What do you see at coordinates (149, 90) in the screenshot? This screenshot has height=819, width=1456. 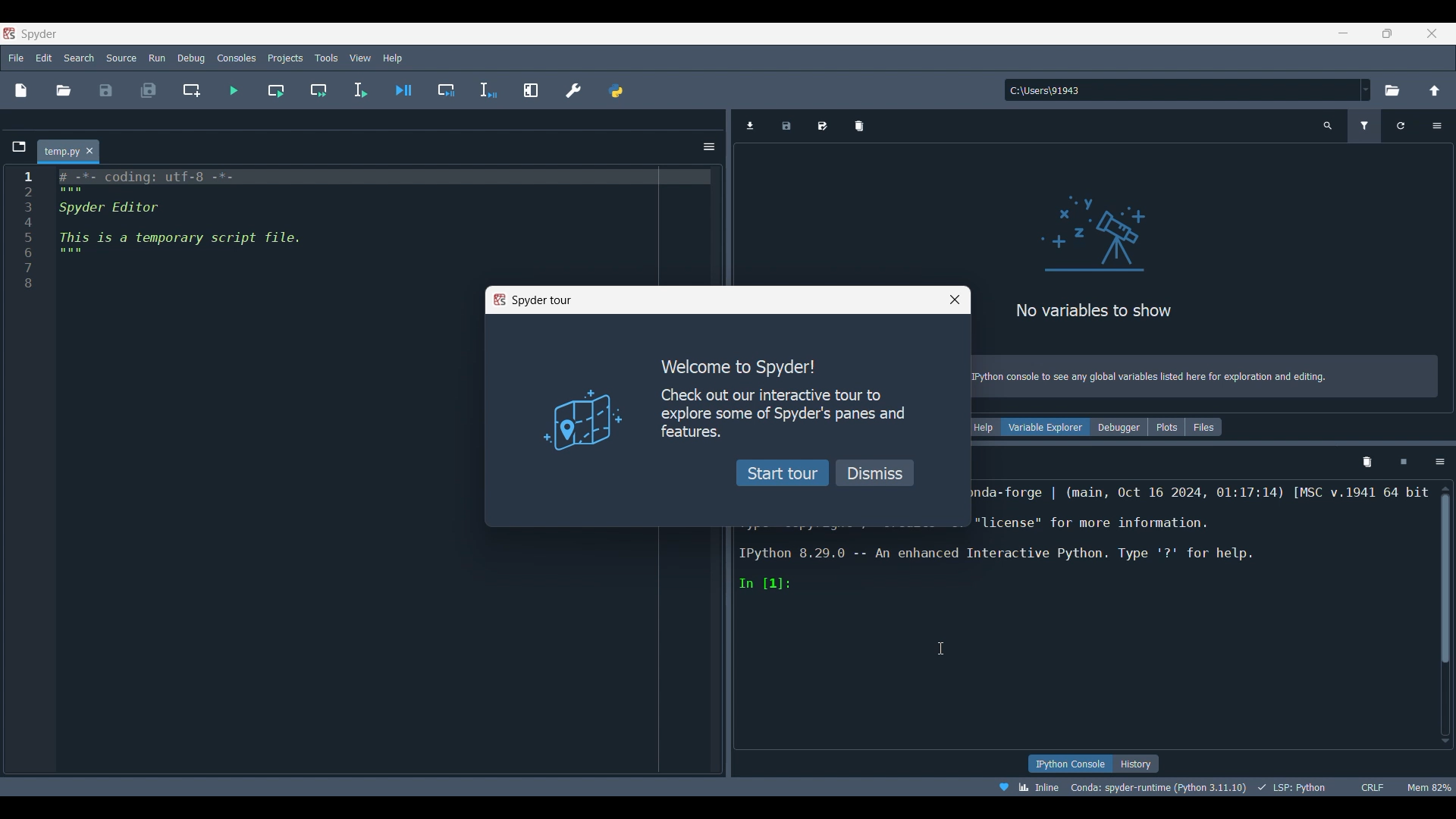 I see `Save everything` at bounding box center [149, 90].